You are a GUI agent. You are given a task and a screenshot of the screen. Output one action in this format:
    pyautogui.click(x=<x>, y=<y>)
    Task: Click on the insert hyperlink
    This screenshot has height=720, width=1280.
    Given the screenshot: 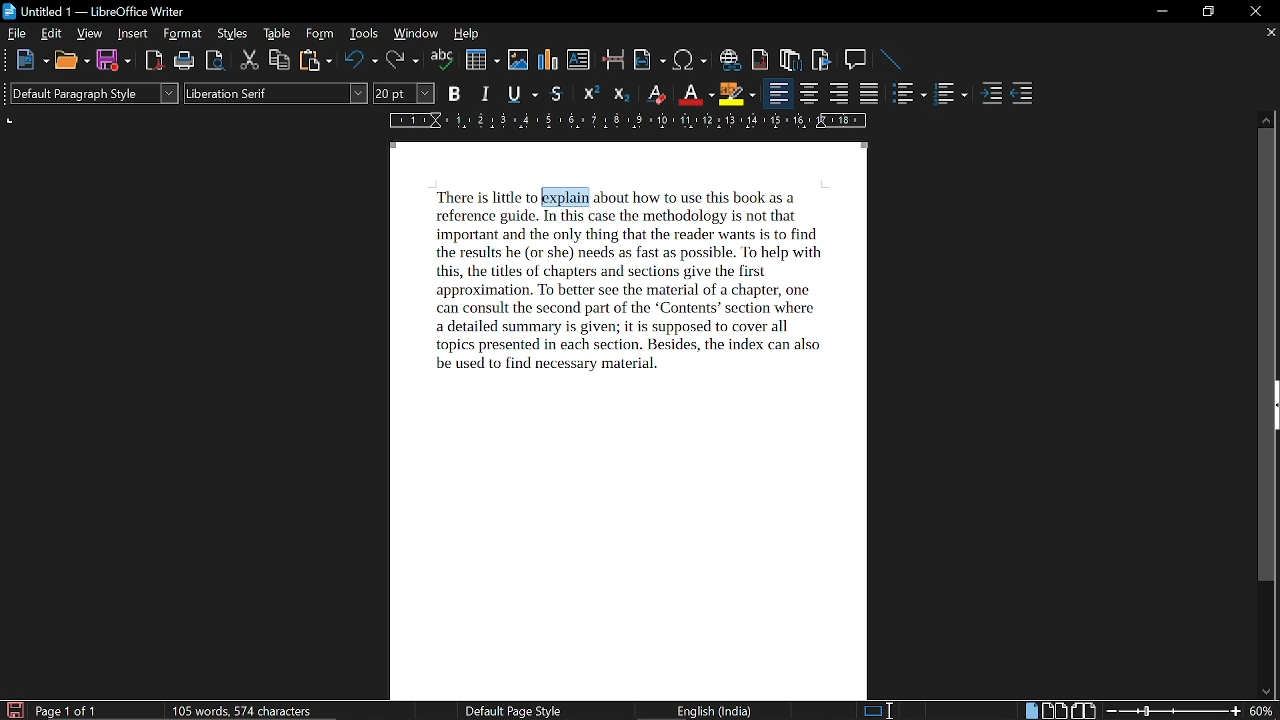 What is the action you would take?
    pyautogui.click(x=730, y=59)
    